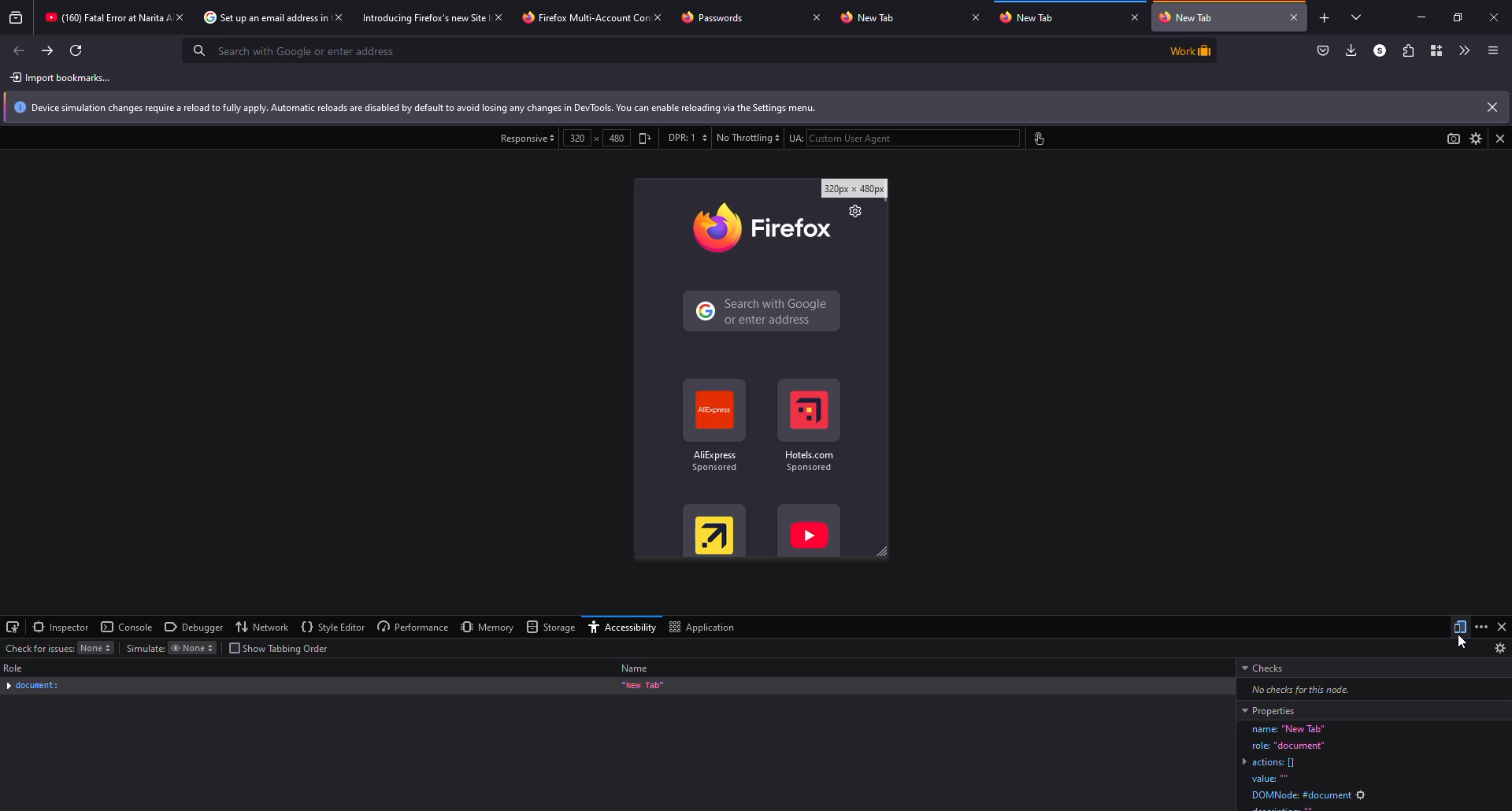 This screenshot has height=811, width=1512. What do you see at coordinates (334, 627) in the screenshot?
I see `style editor` at bounding box center [334, 627].